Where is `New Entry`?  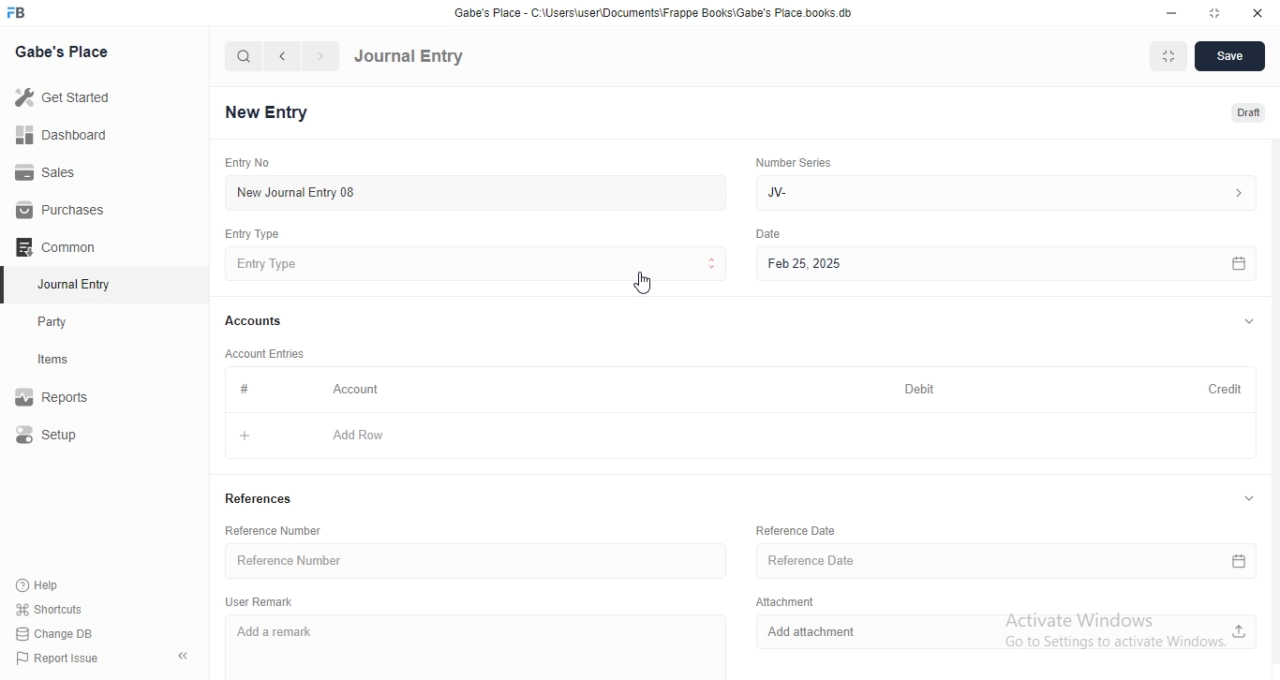
New Entry is located at coordinates (266, 111).